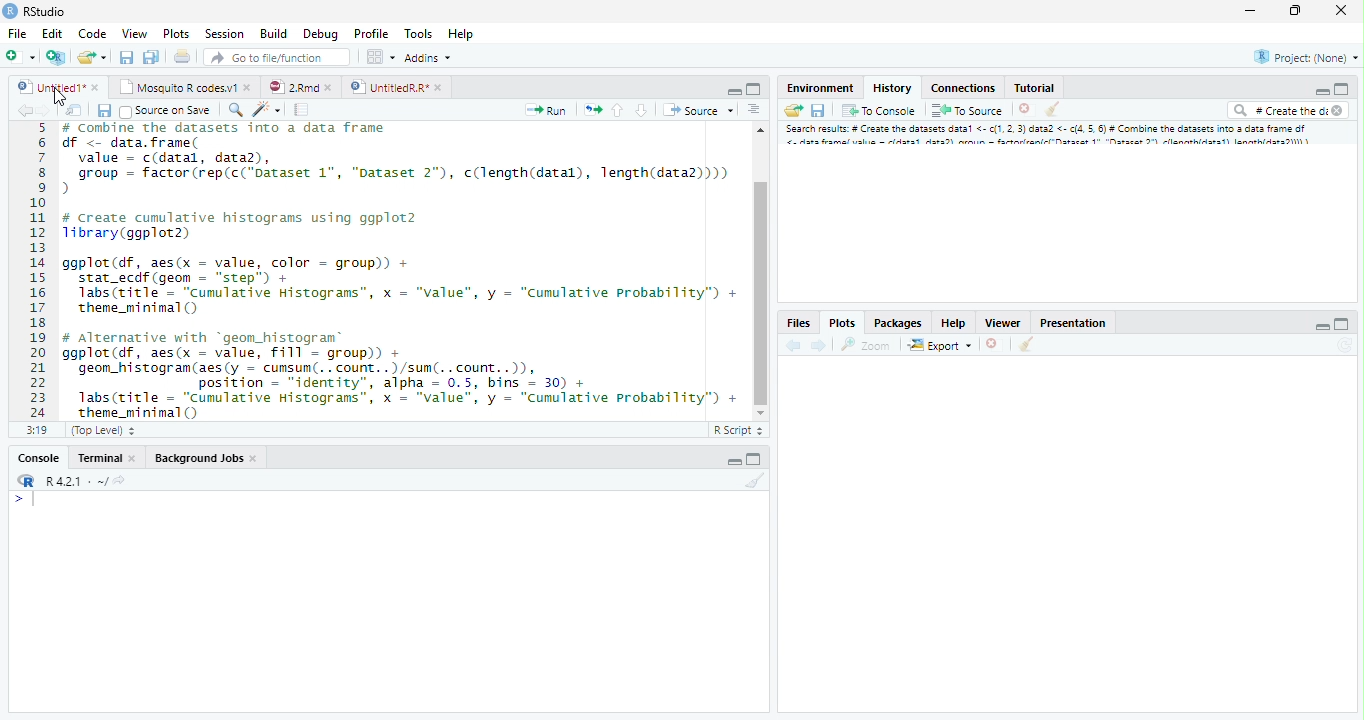  Describe the element at coordinates (992, 342) in the screenshot. I see `Delete ` at that location.